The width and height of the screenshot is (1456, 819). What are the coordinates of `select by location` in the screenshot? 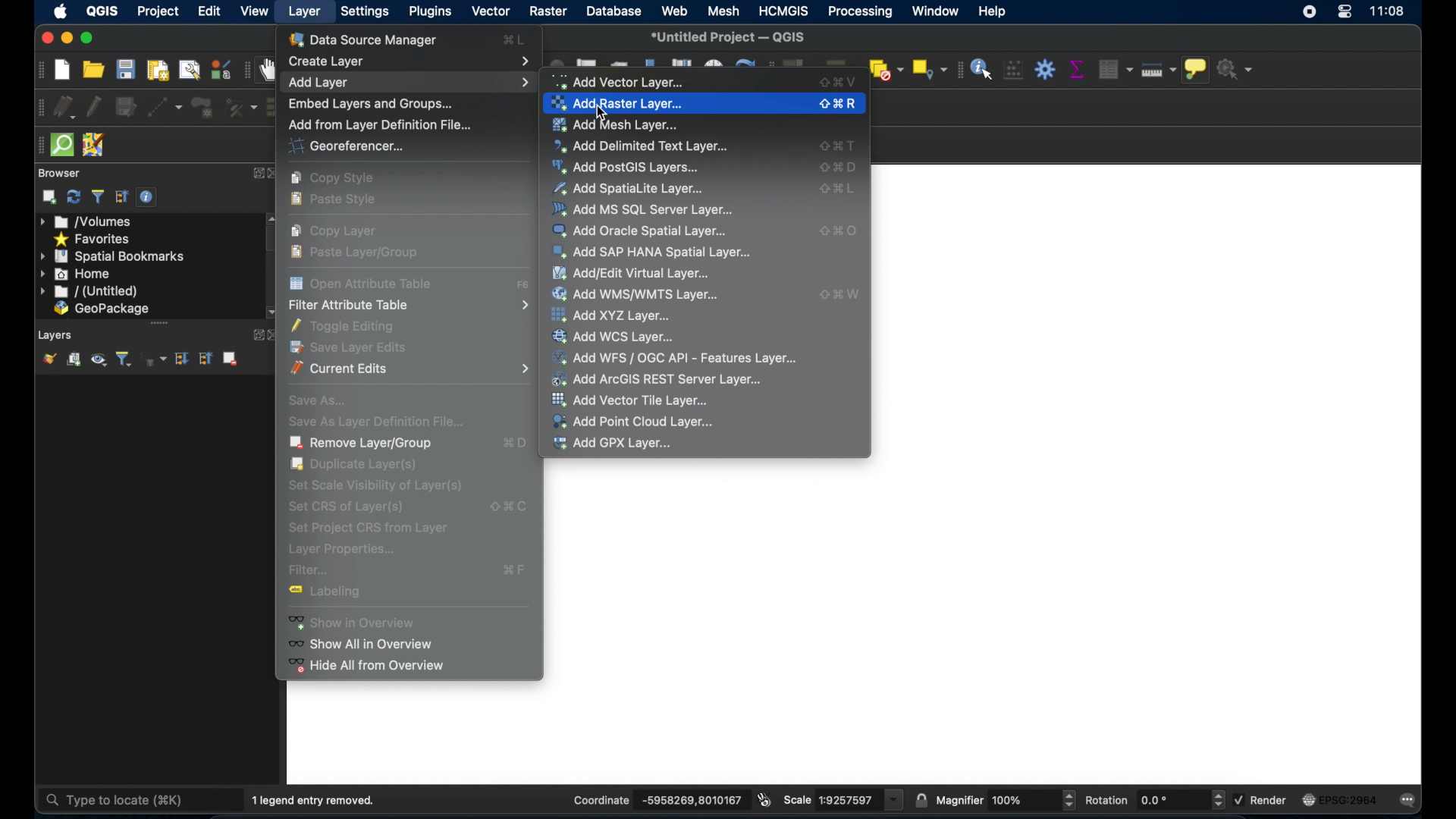 It's located at (927, 69).